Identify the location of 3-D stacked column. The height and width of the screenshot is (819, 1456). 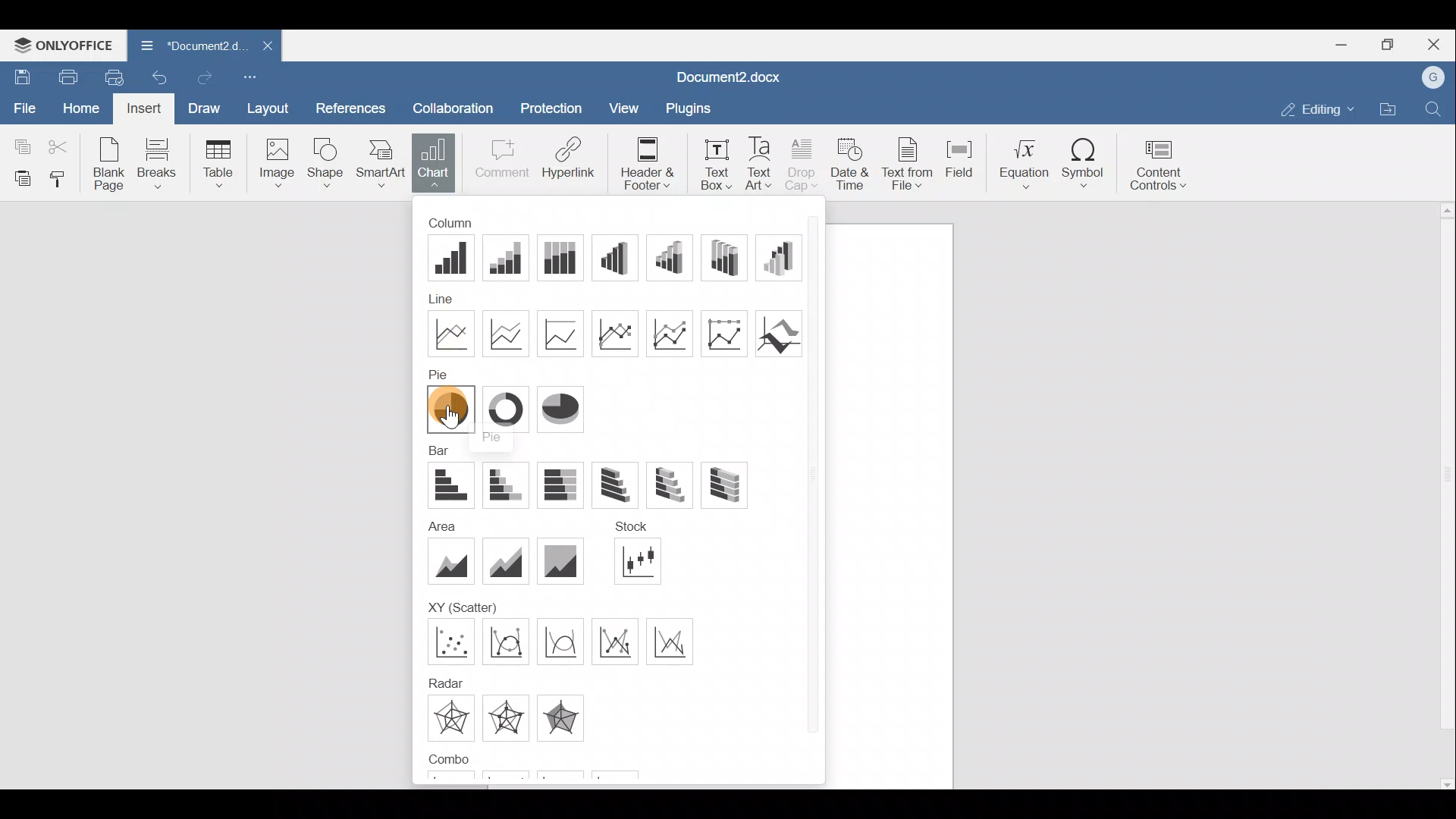
(668, 255).